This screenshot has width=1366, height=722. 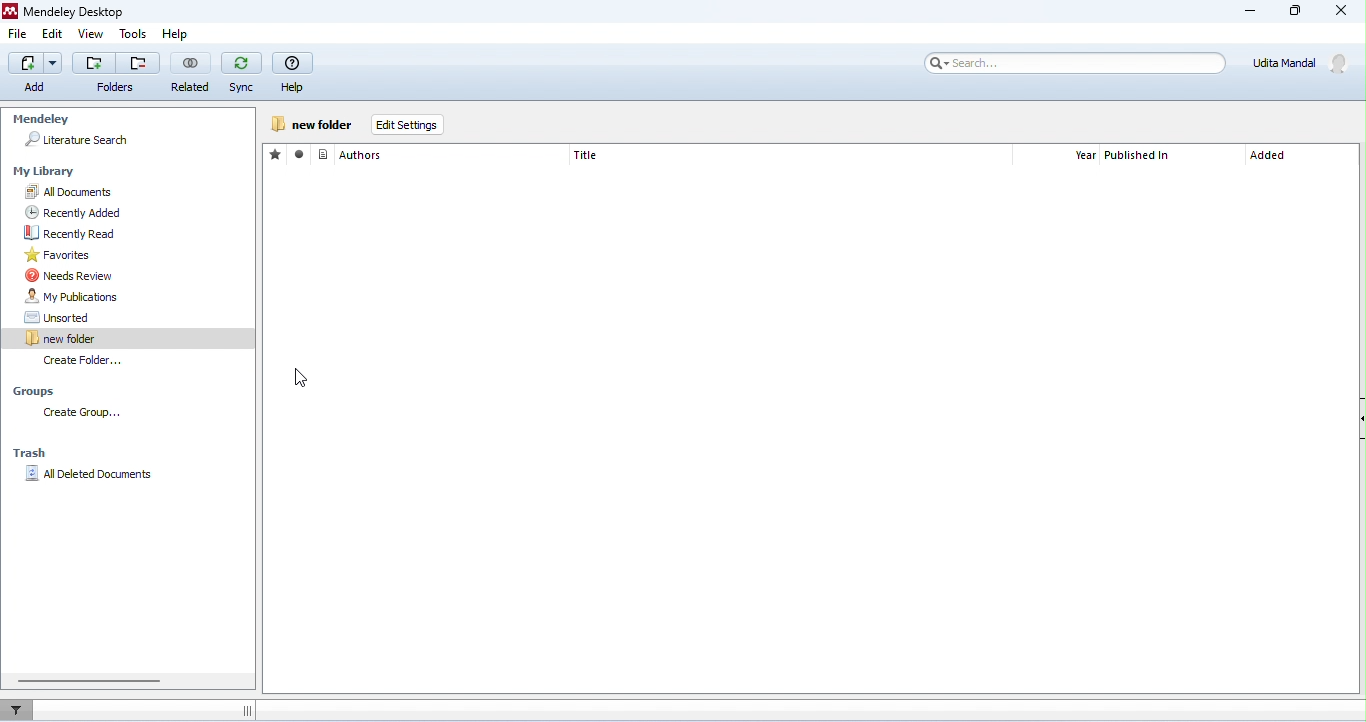 What do you see at coordinates (277, 154) in the screenshot?
I see `favorite` at bounding box center [277, 154].